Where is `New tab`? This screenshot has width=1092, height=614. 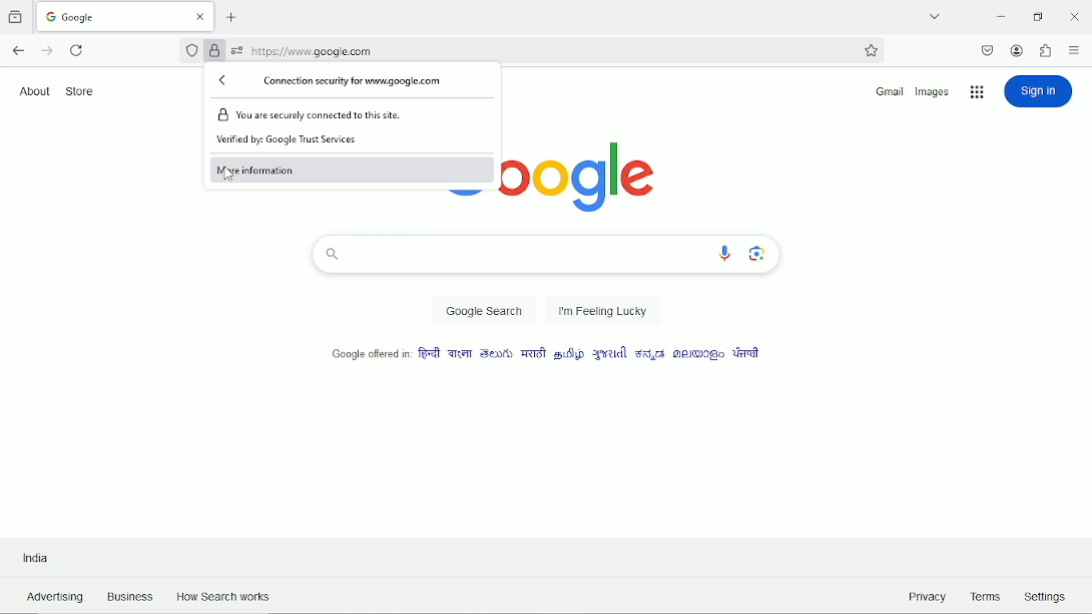 New tab is located at coordinates (231, 19).